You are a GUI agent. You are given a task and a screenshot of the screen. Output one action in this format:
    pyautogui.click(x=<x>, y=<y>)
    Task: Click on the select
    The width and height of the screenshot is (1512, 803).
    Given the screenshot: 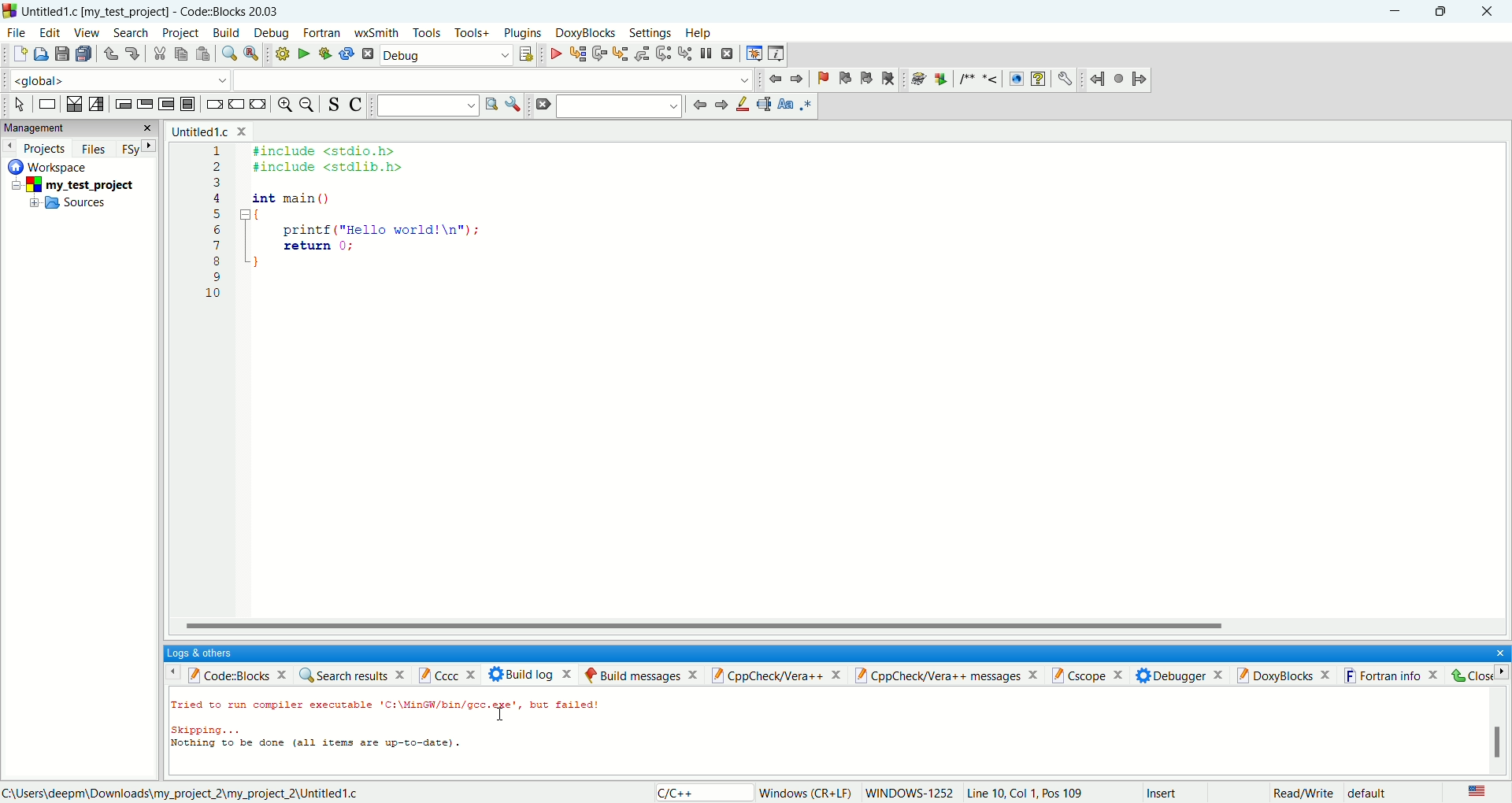 What is the action you would take?
    pyautogui.click(x=20, y=105)
    